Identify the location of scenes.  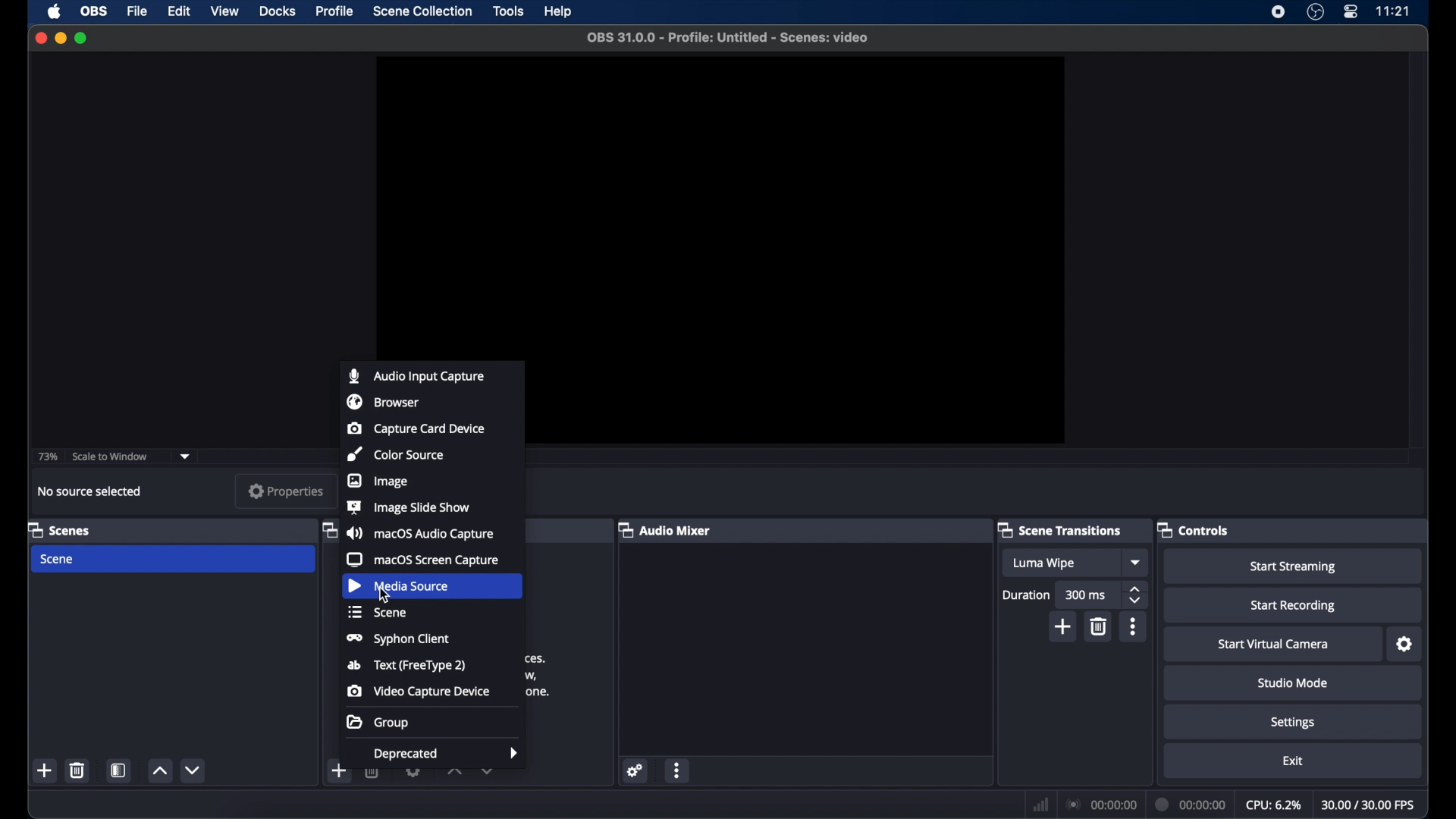
(60, 529).